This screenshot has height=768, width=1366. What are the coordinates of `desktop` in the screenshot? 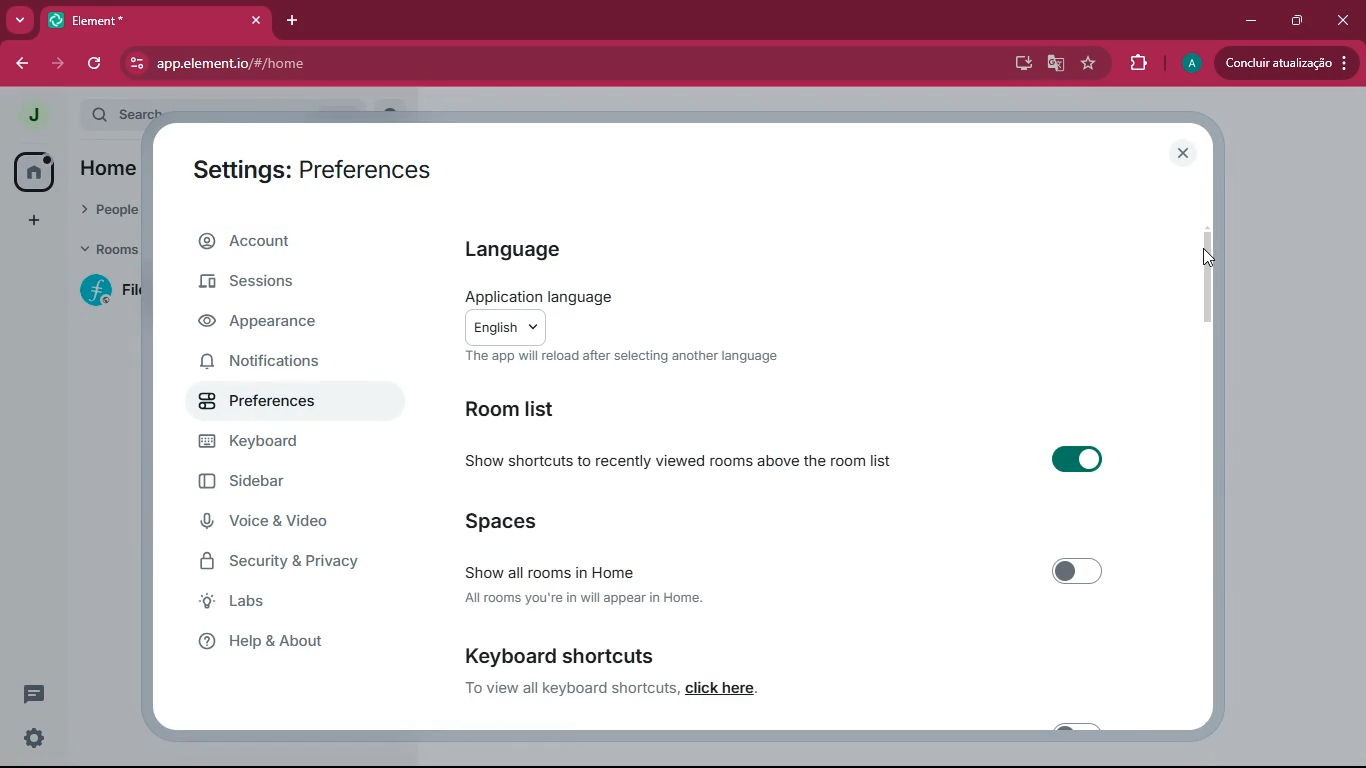 It's located at (1021, 64).